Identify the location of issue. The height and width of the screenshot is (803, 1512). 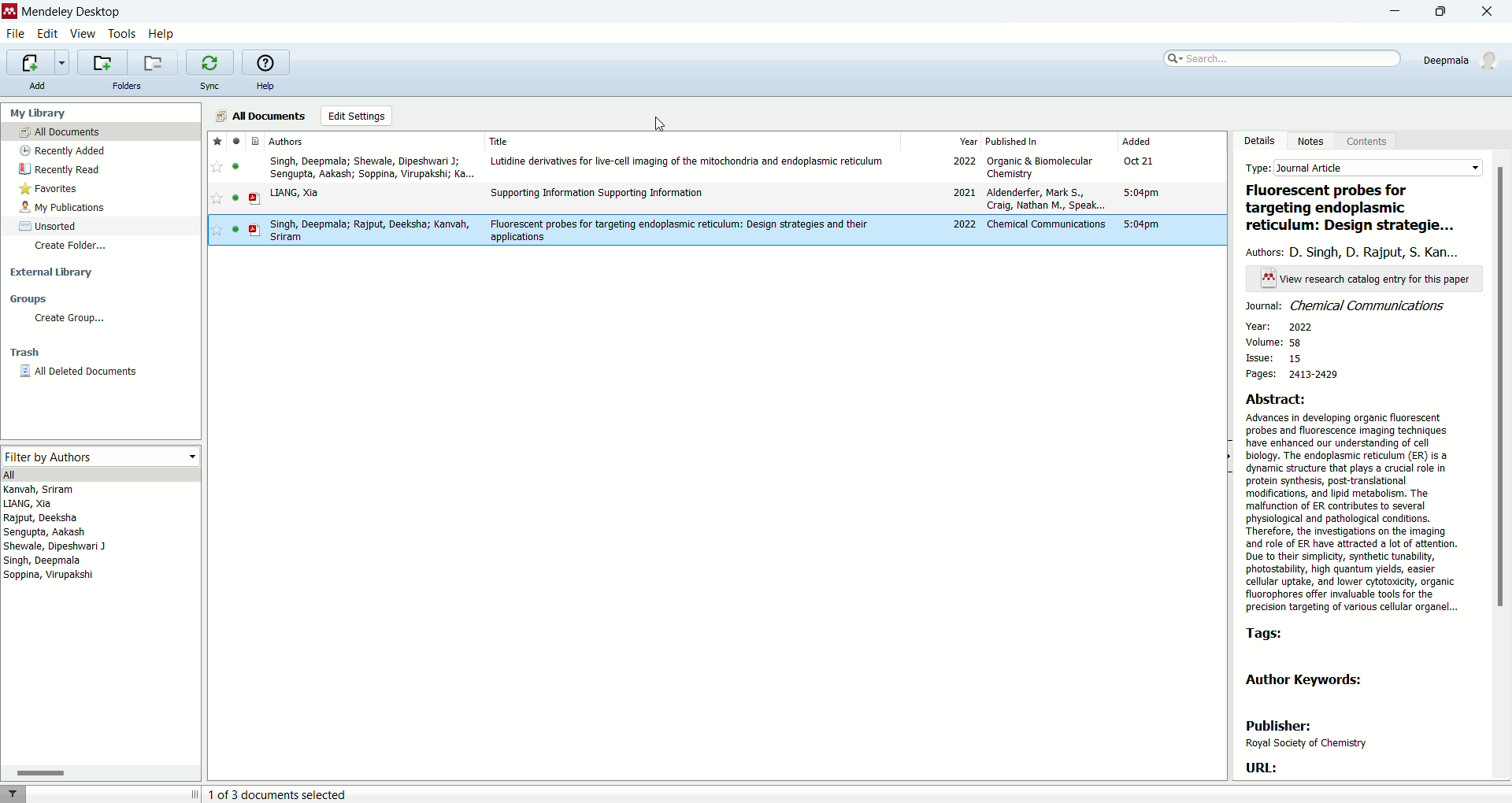
(1273, 359).